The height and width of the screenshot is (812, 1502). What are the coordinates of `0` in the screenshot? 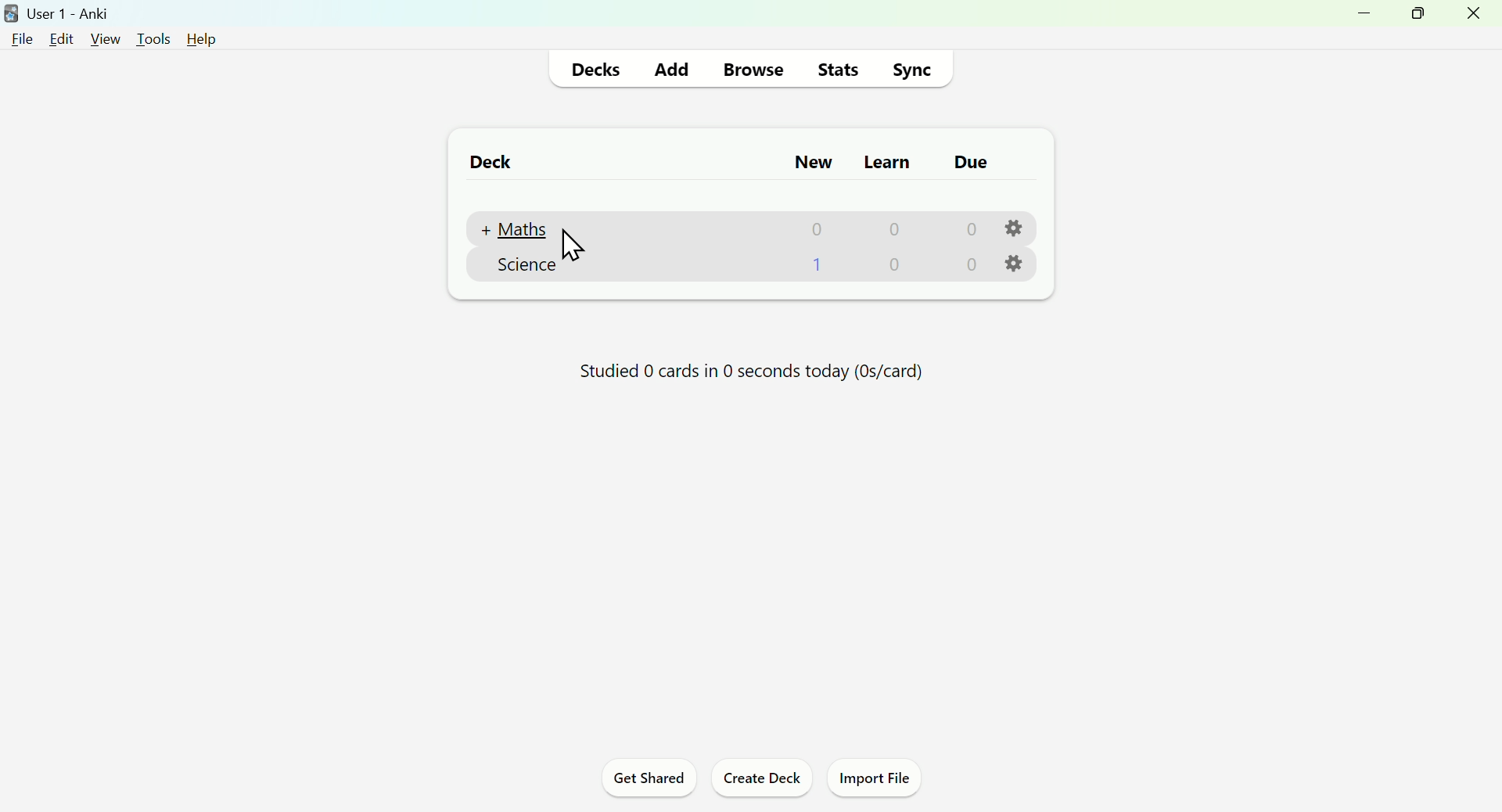 It's located at (968, 266).